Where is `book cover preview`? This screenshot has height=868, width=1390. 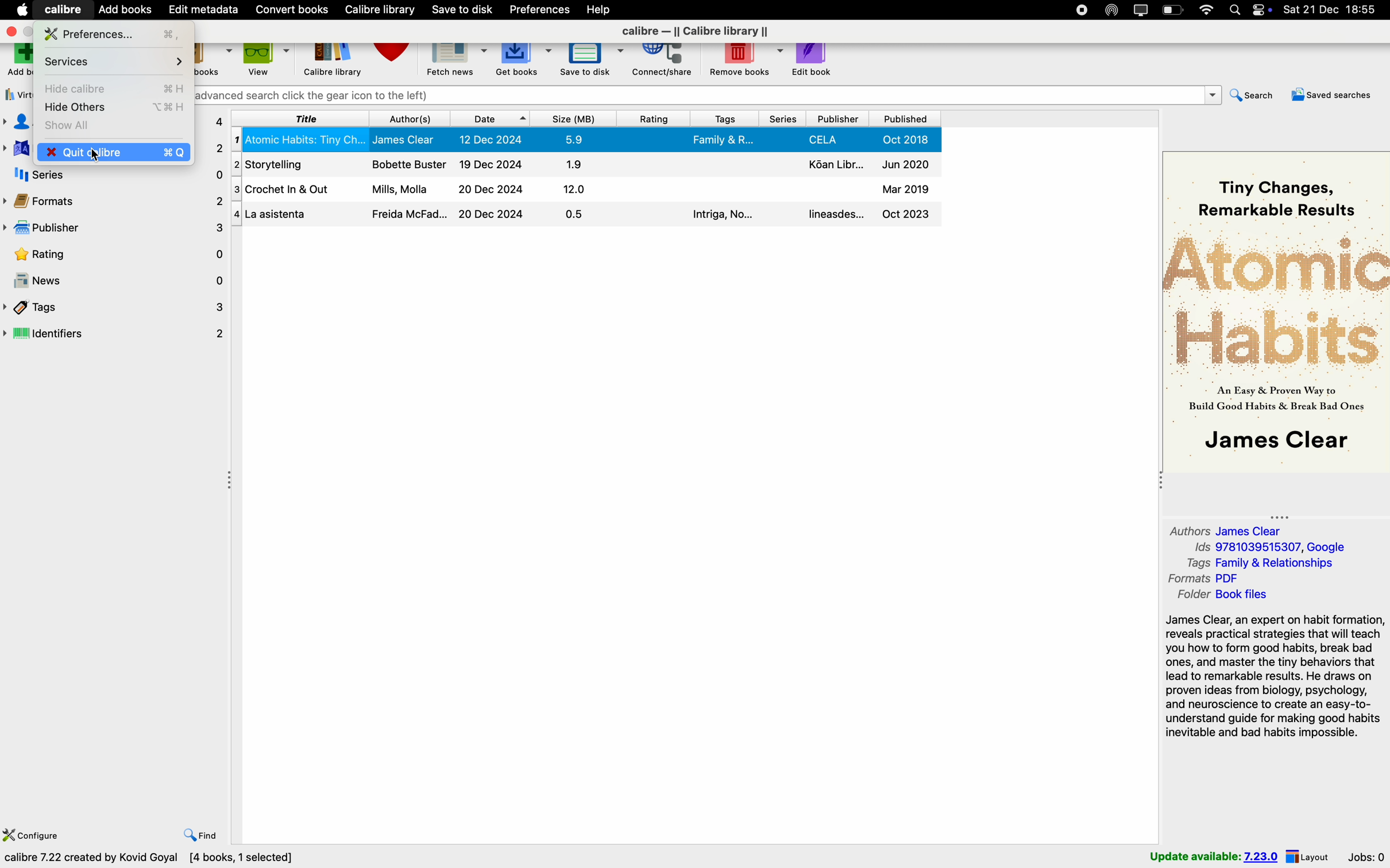
book cover preview is located at coordinates (1277, 310).